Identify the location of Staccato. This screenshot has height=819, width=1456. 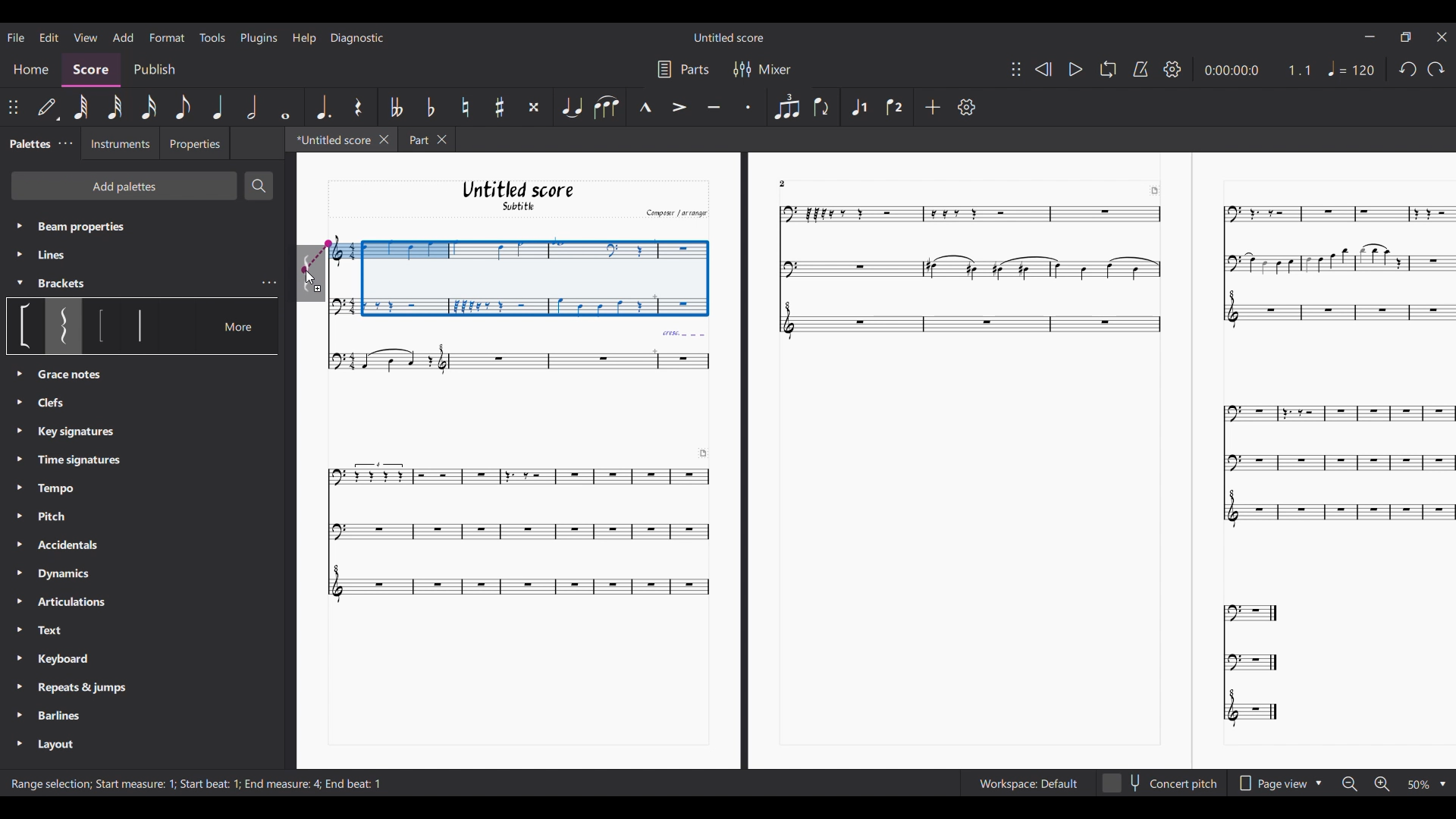
(747, 106).